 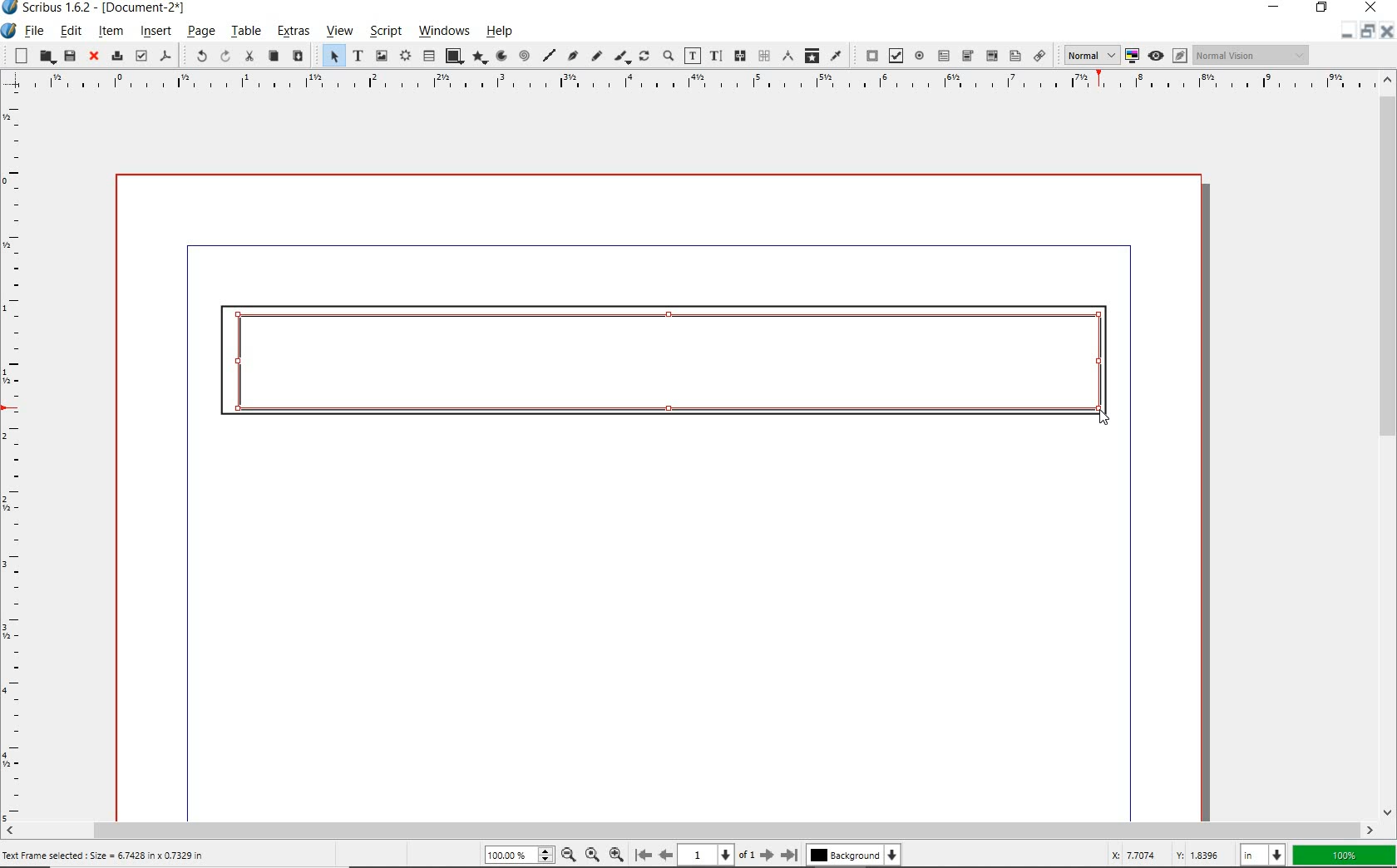 What do you see at coordinates (111, 32) in the screenshot?
I see `item` at bounding box center [111, 32].